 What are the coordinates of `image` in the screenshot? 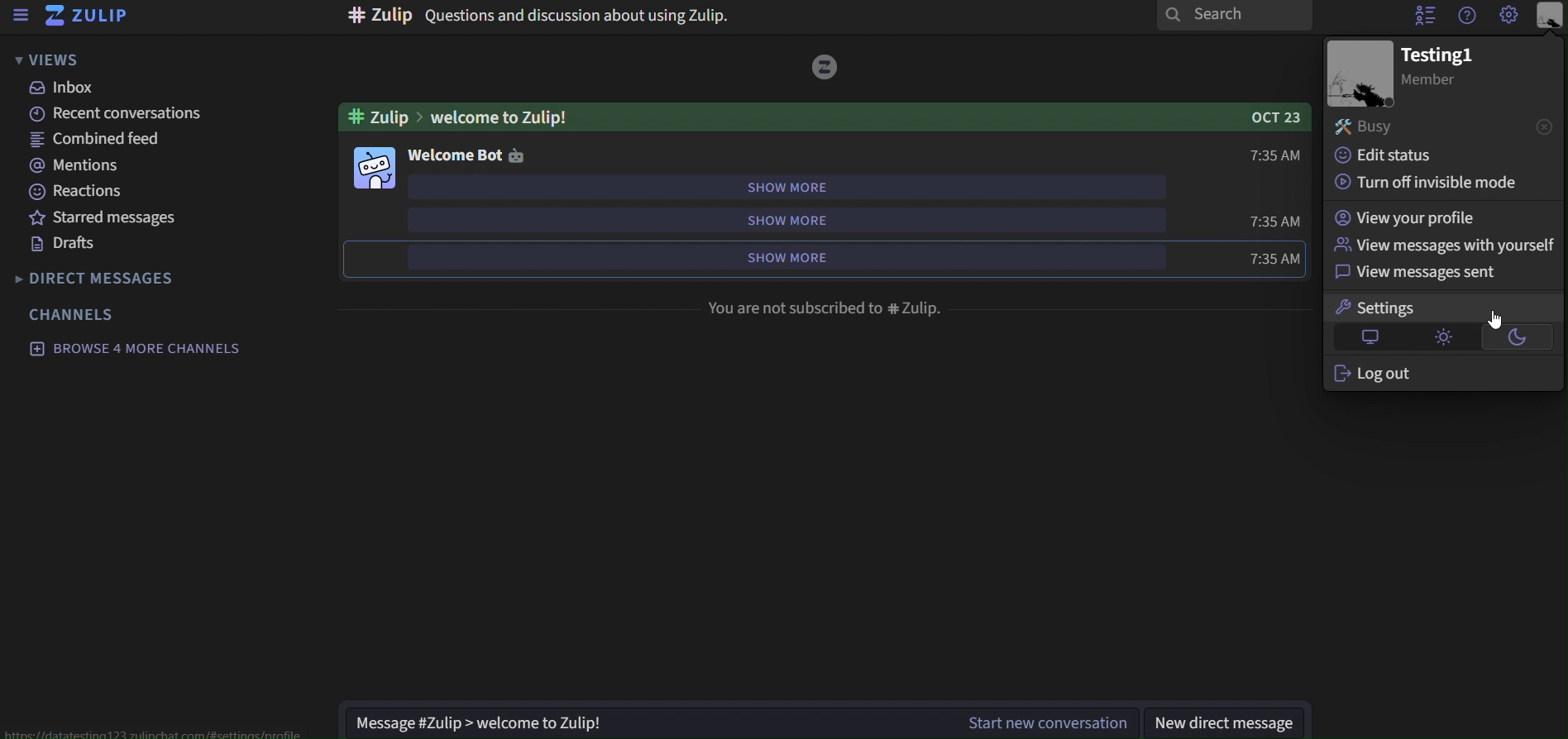 It's located at (371, 166).